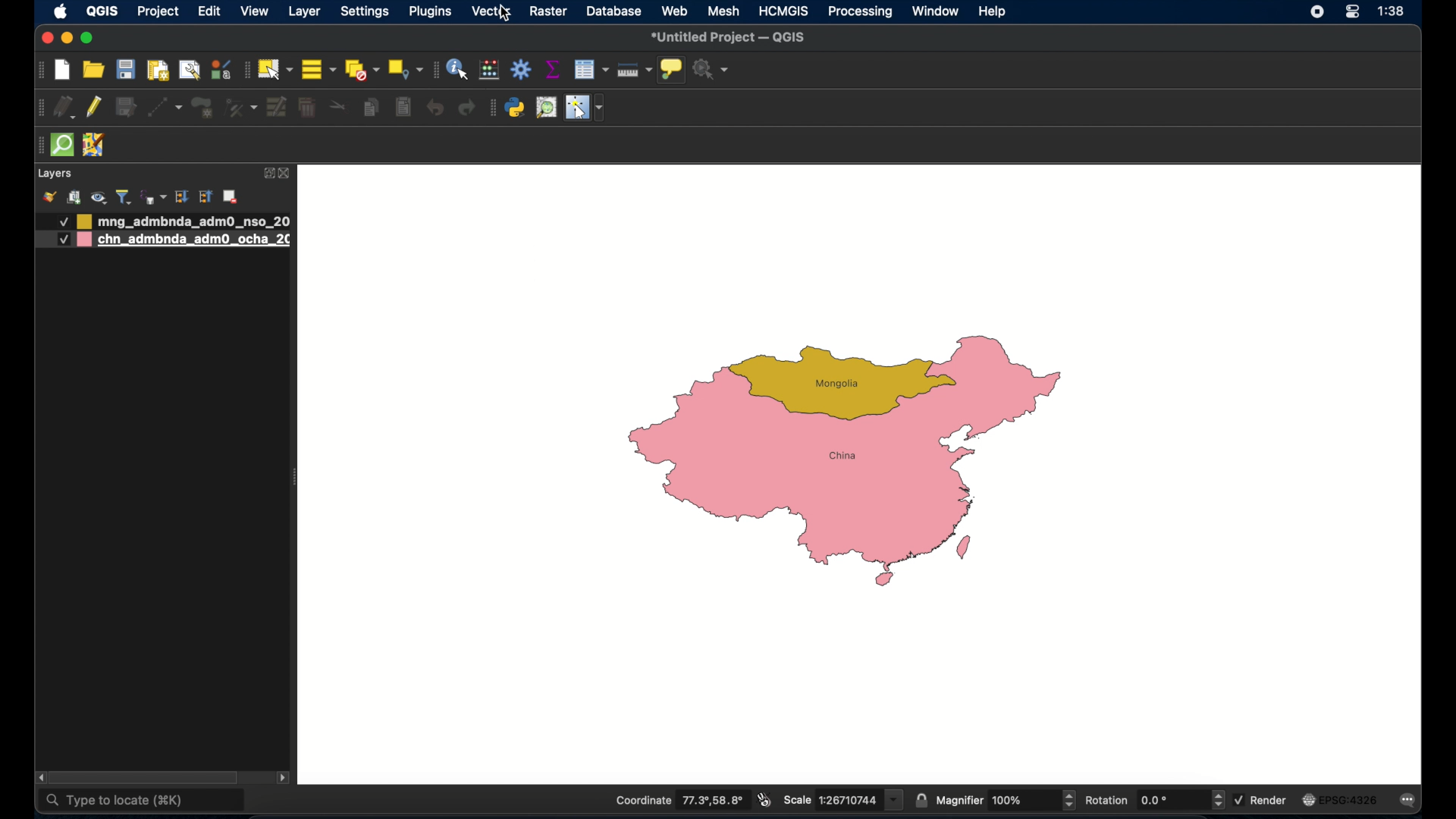 Image resolution: width=1456 pixels, height=819 pixels. What do you see at coordinates (923, 799) in the screenshot?
I see `lock scale` at bounding box center [923, 799].